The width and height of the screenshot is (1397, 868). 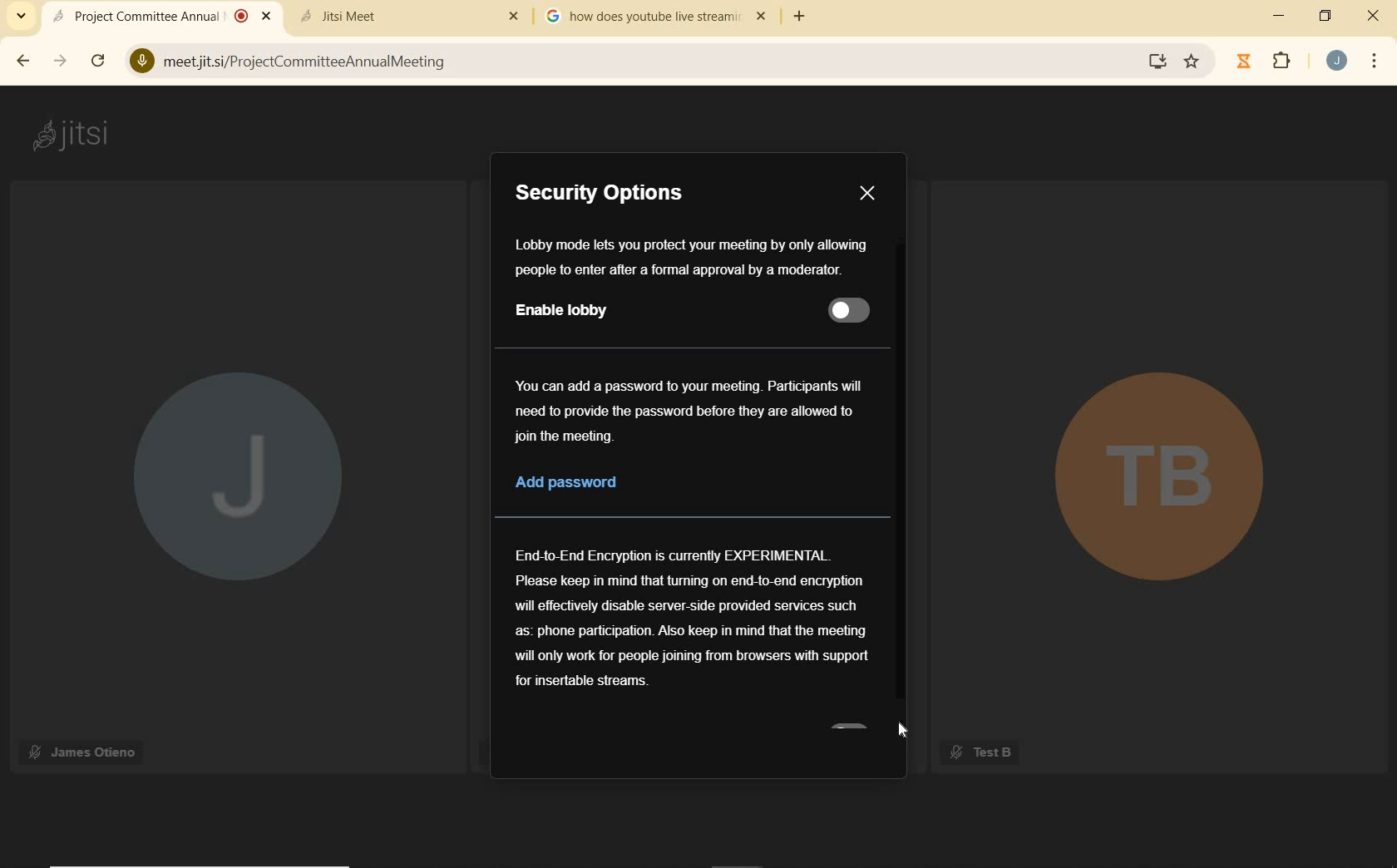 I want to click on Test B, so click(x=980, y=752).